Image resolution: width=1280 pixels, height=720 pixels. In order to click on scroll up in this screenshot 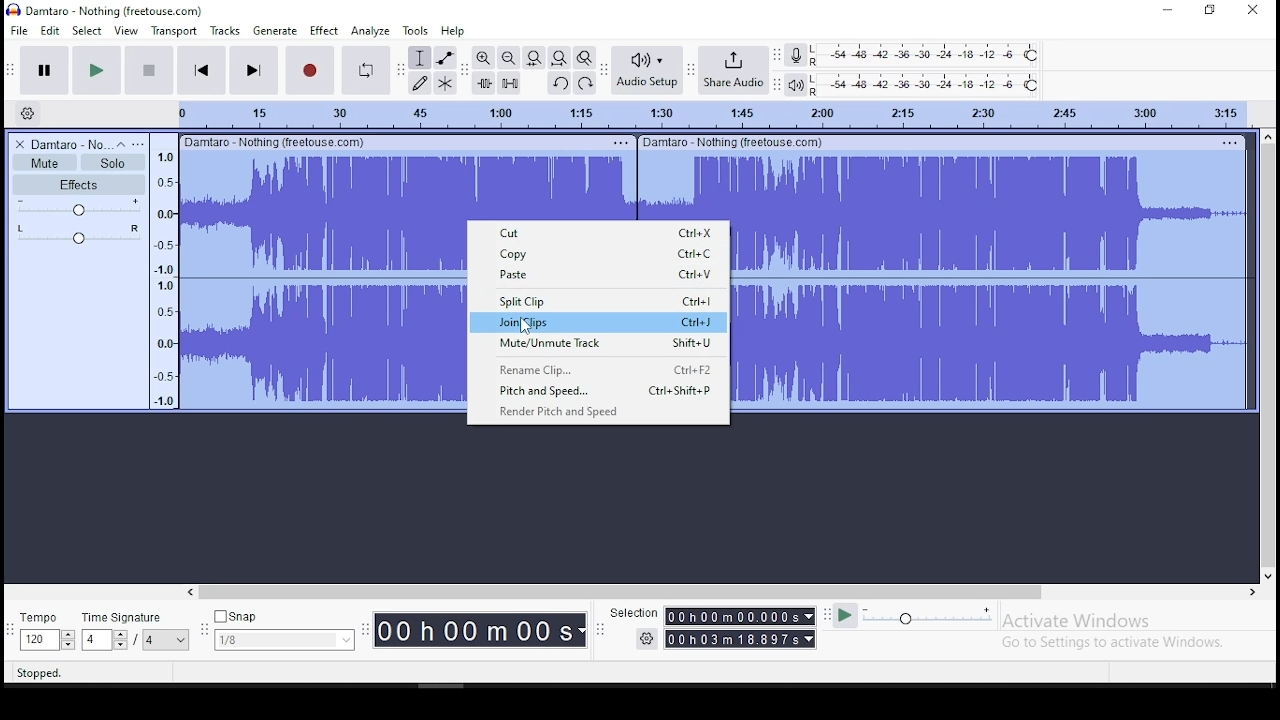, I will do `click(1270, 135)`.